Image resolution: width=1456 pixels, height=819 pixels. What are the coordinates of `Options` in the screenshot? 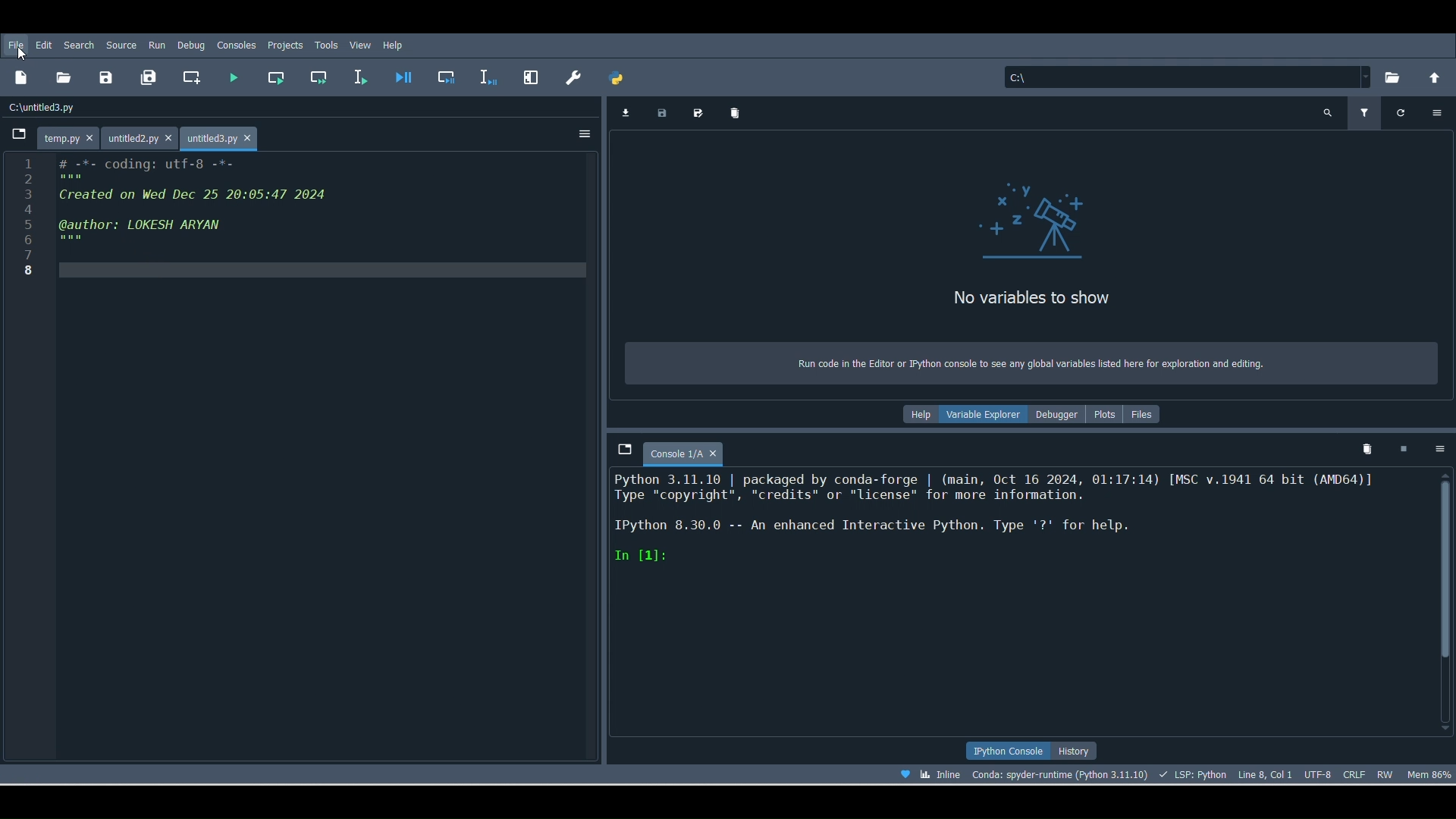 It's located at (582, 133).